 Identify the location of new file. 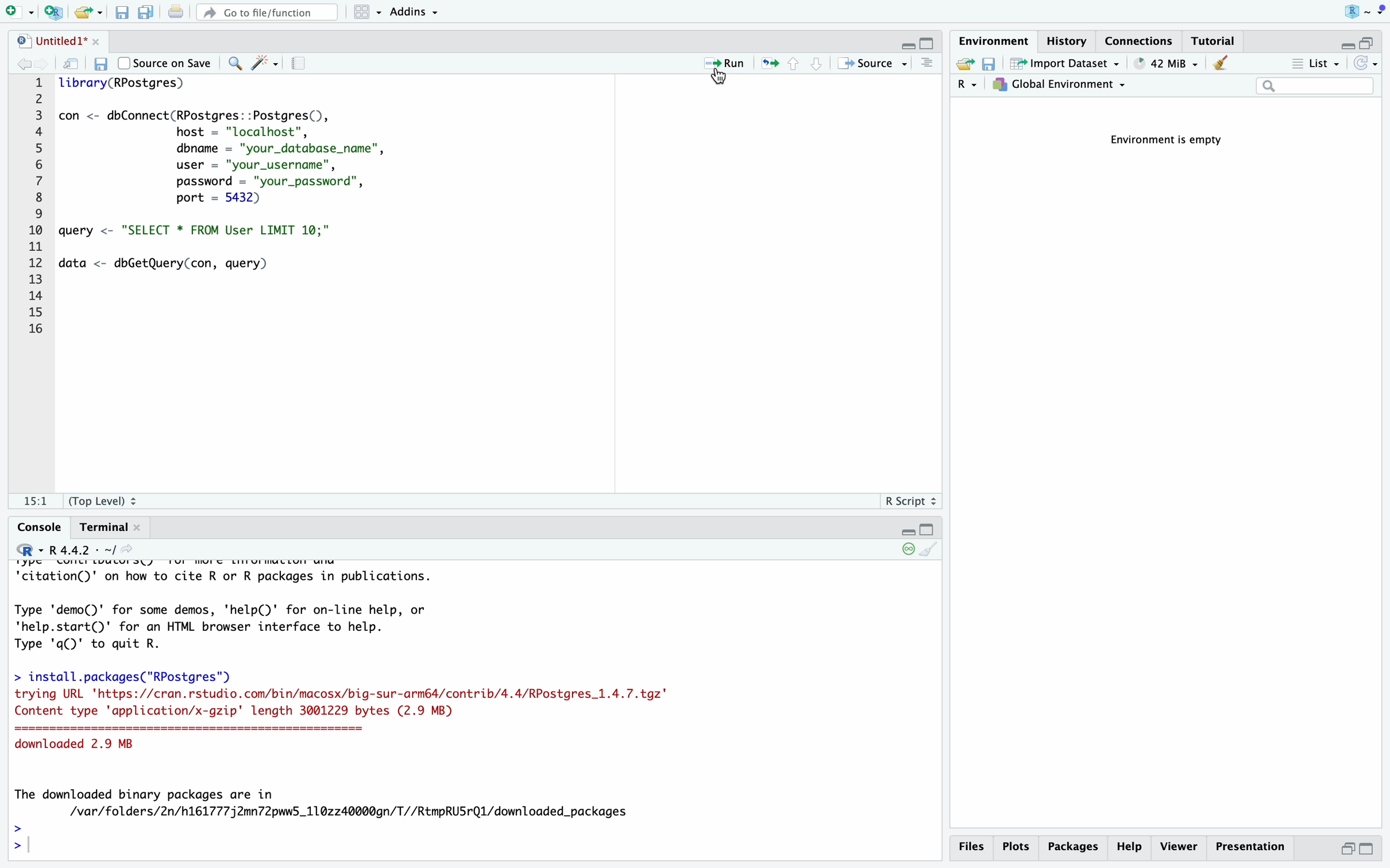
(17, 11).